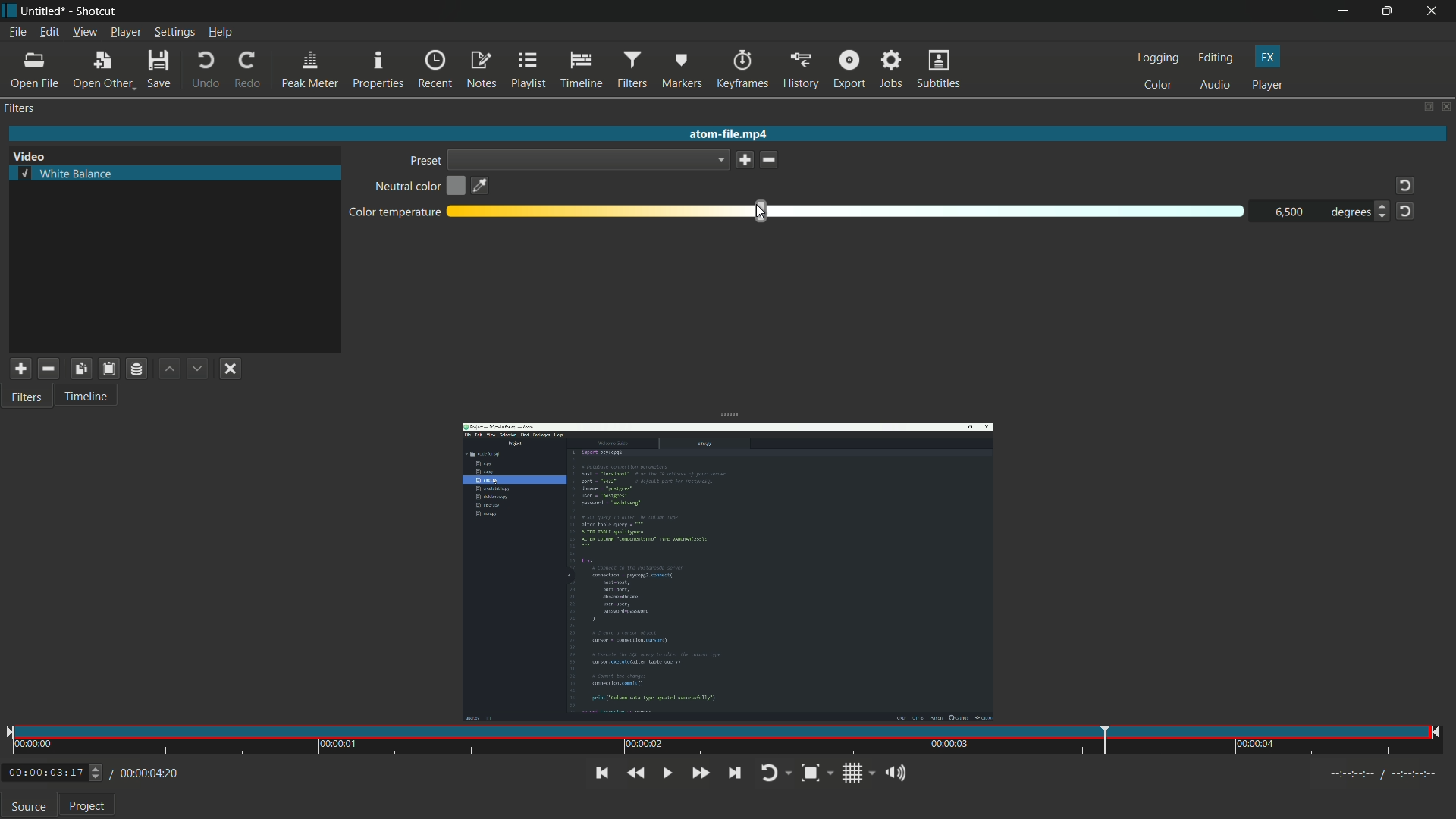 This screenshot has height=819, width=1456. I want to click on toggle play or pause, so click(665, 773).